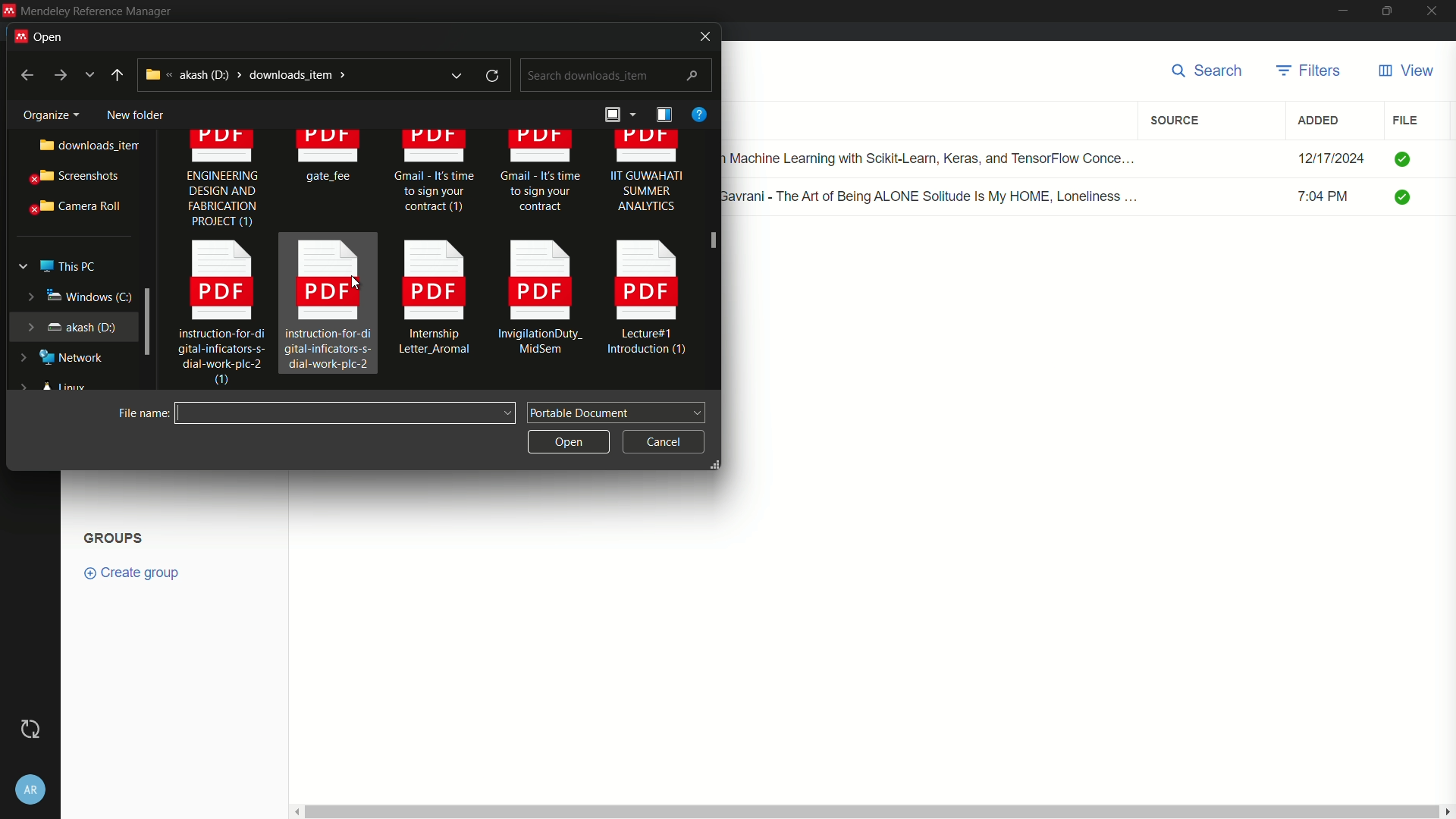 The width and height of the screenshot is (1456, 819). I want to click on source, so click(1178, 121).